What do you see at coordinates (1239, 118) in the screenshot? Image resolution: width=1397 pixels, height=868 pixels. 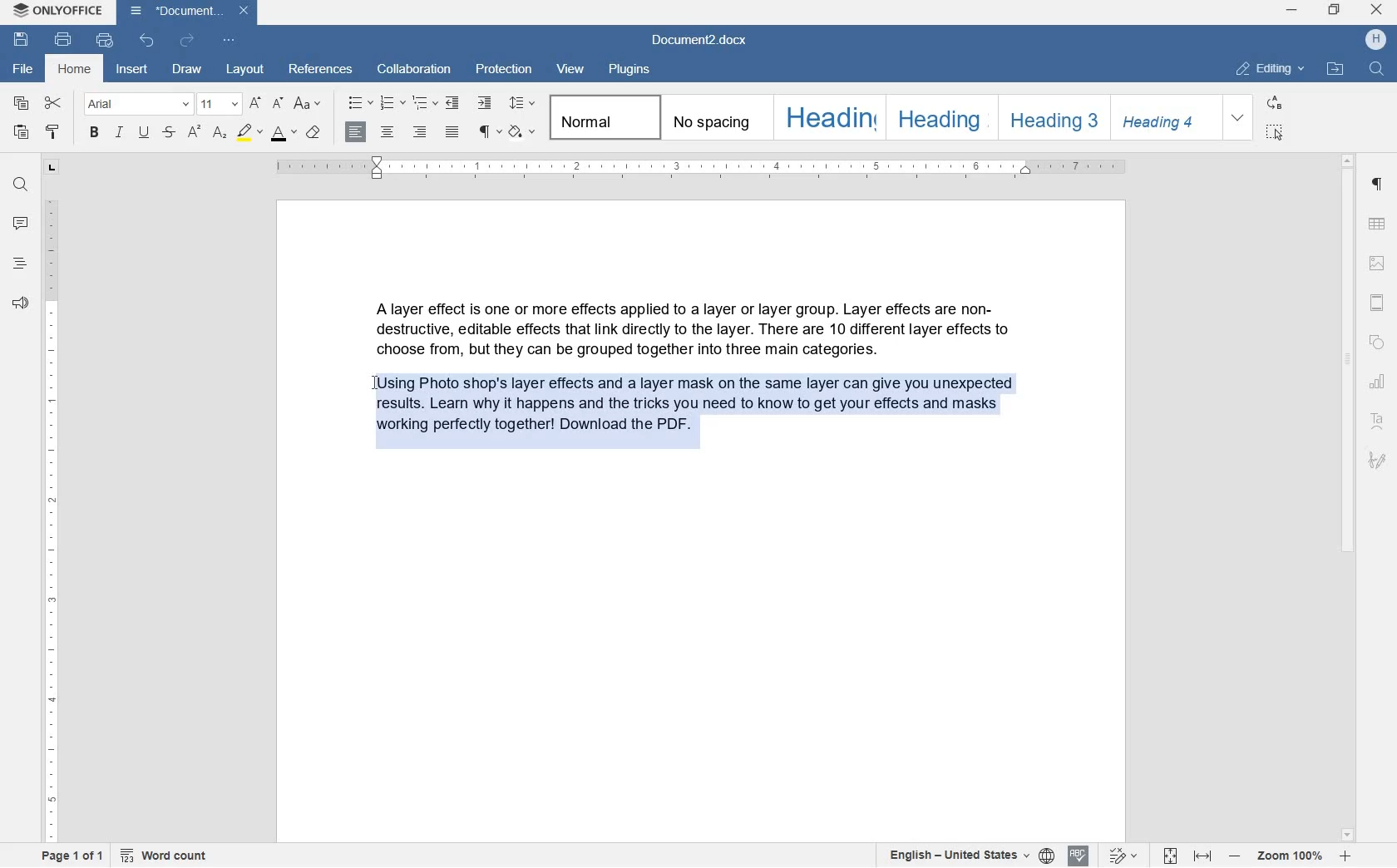 I see `EXPAND FORMATTING STYLE` at bounding box center [1239, 118].